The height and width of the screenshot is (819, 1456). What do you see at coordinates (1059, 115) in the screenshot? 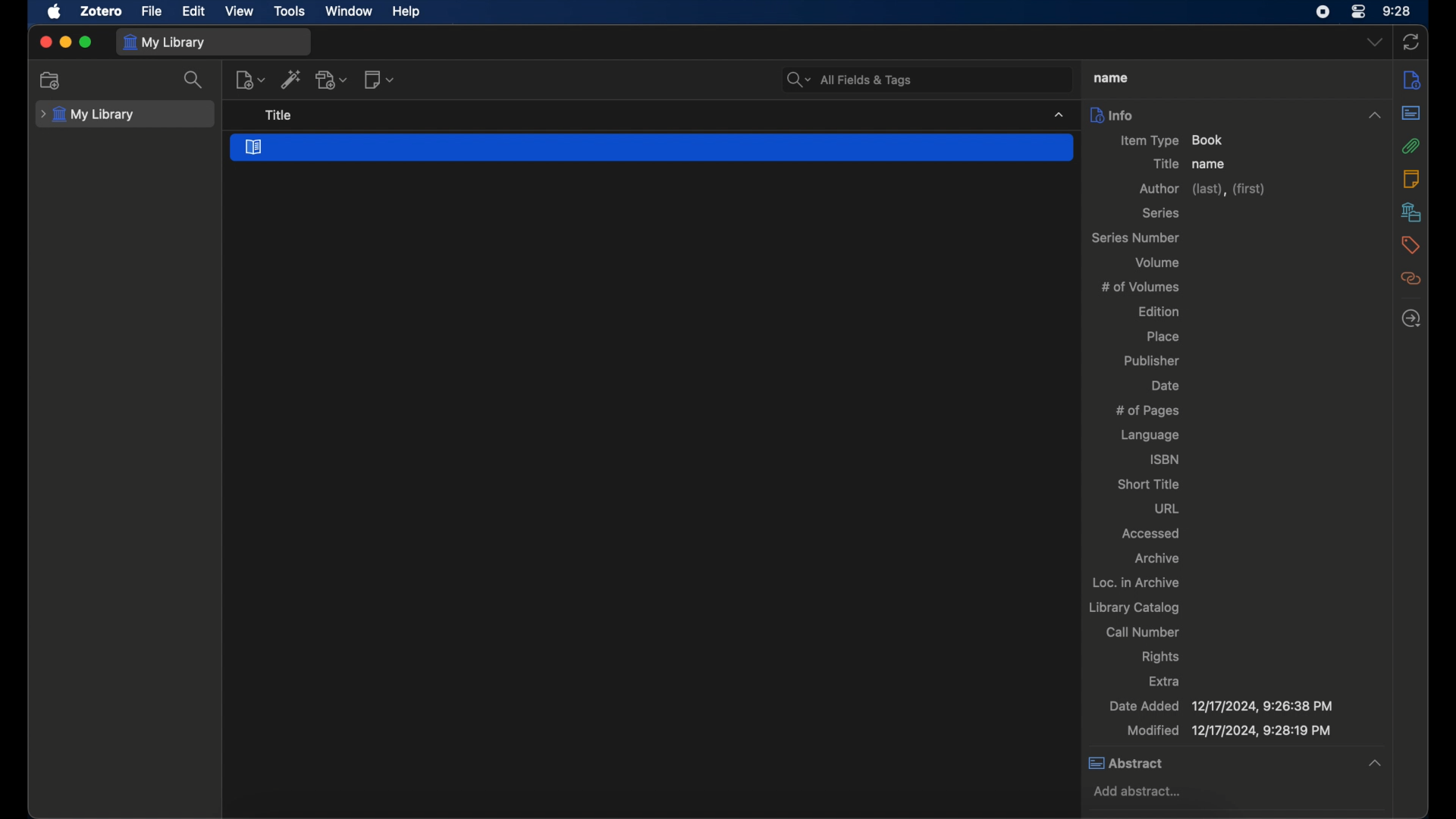
I see `dropdown` at bounding box center [1059, 115].